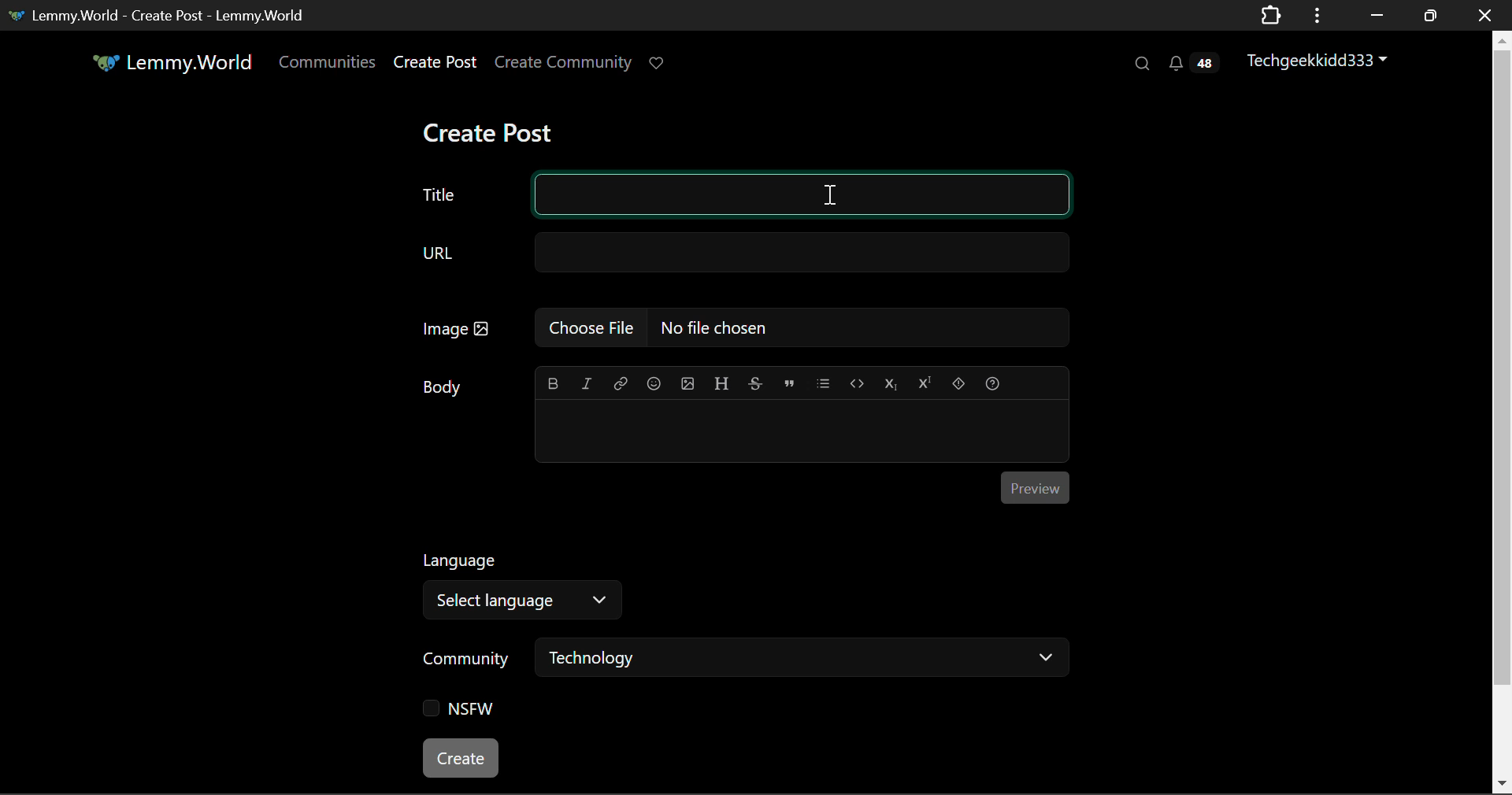  I want to click on strikethrough, so click(756, 383).